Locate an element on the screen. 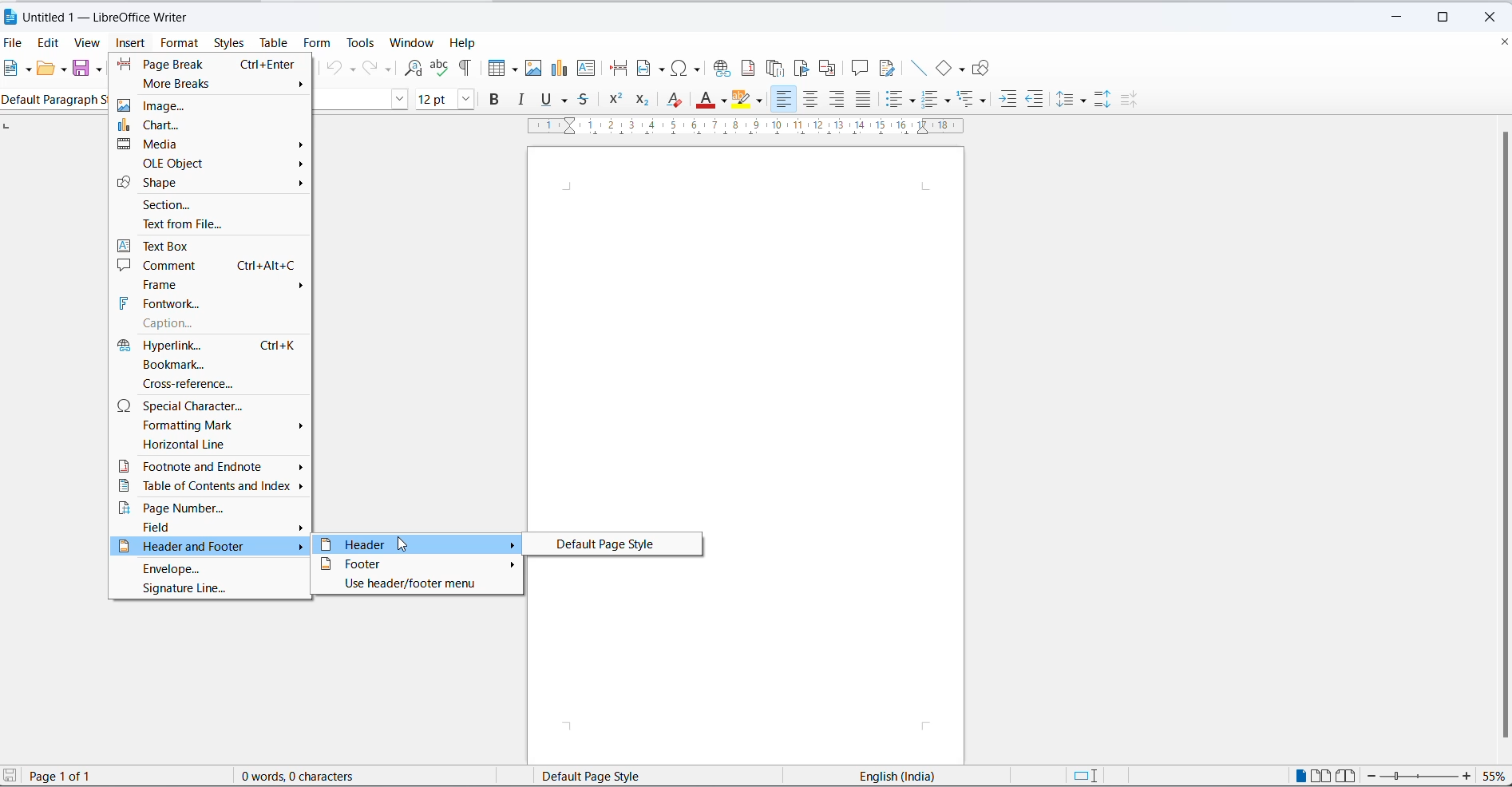 This screenshot has height=787, width=1512. scaling is located at coordinates (759, 130).